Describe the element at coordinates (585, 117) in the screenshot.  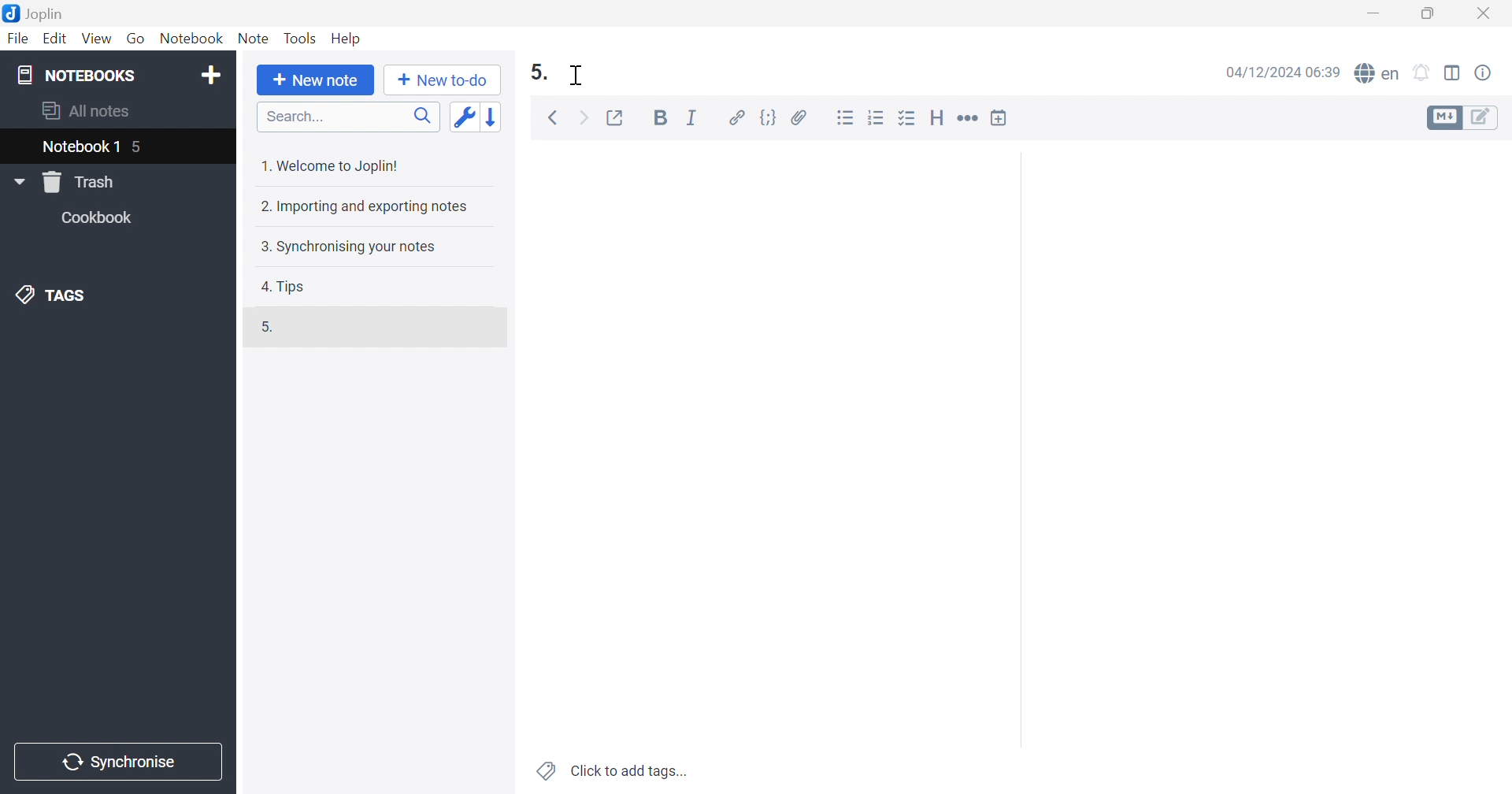
I see `Forward` at that location.